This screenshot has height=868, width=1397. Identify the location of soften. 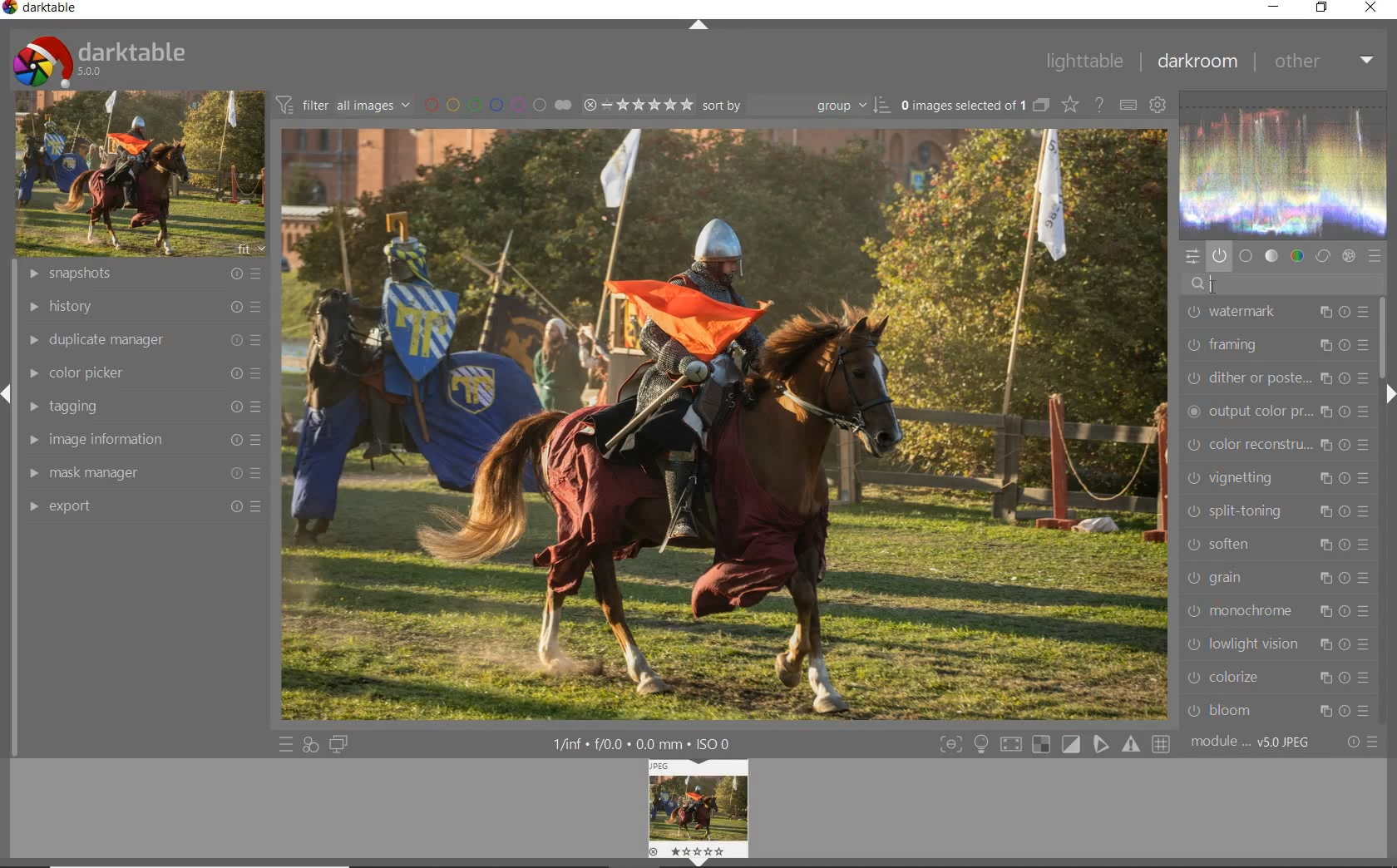
(1276, 547).